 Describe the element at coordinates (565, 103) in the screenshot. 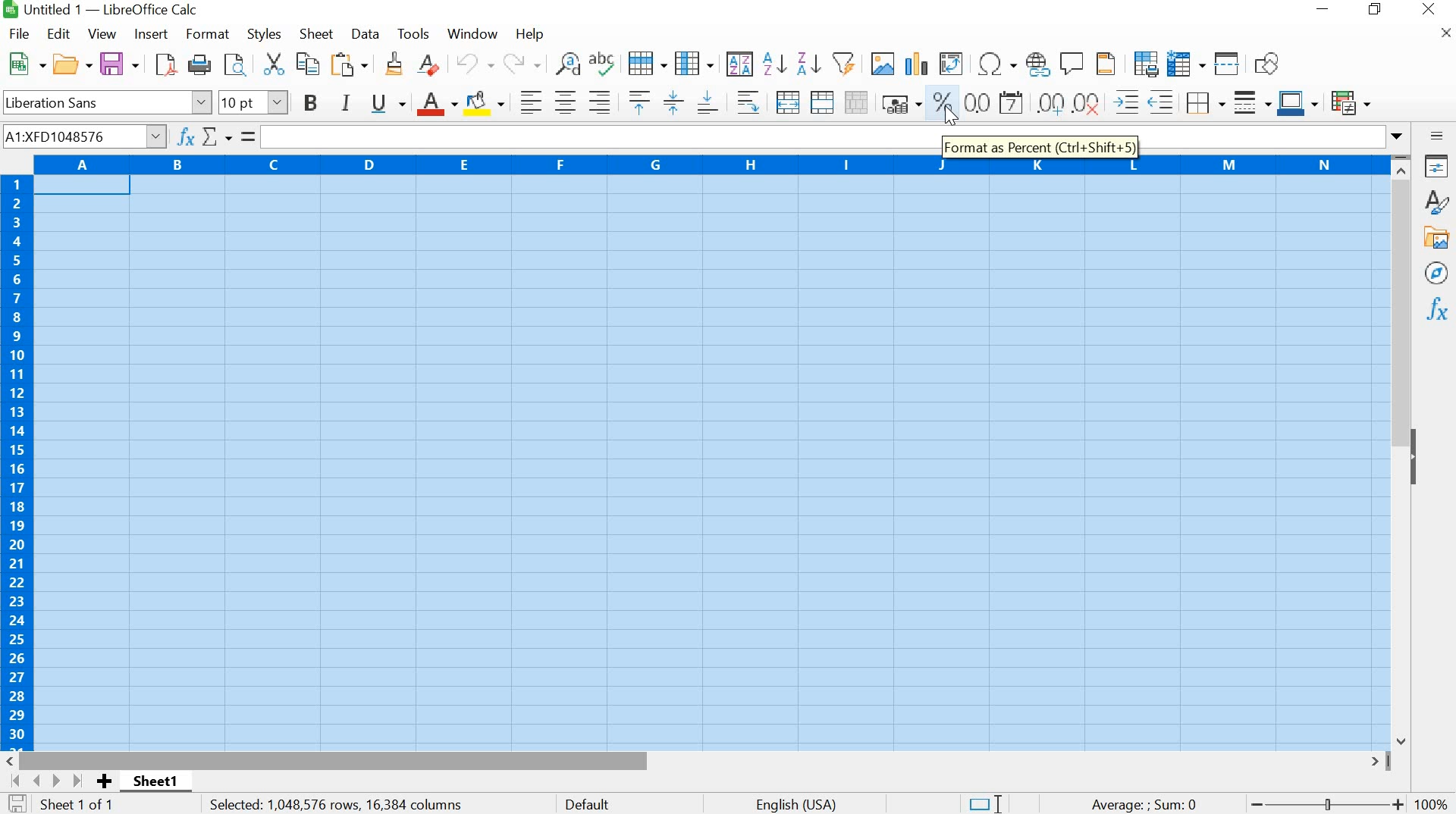

I see `Align Center` at that location.